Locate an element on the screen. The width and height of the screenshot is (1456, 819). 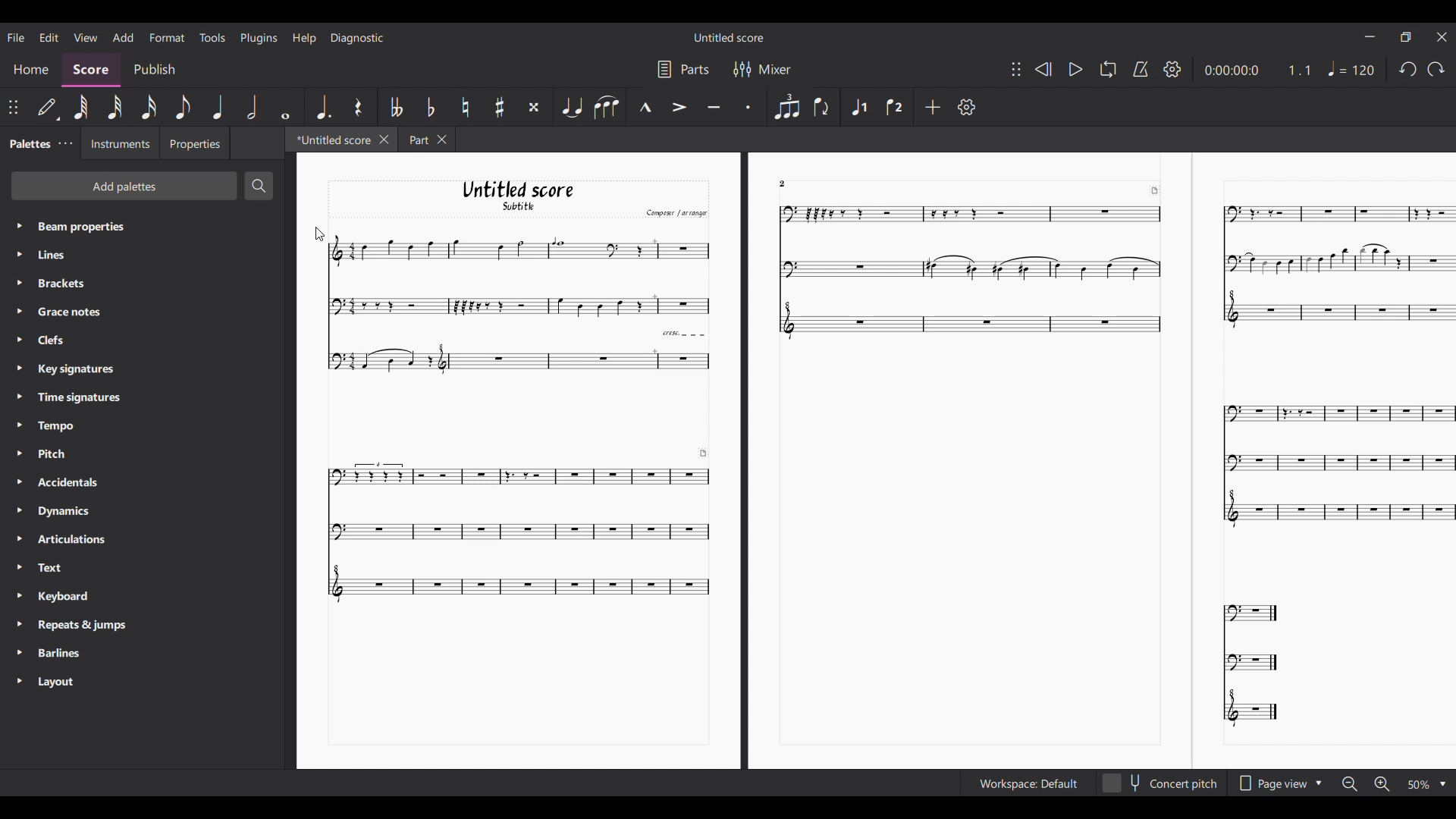
Close is located at coordinates (444, 140).